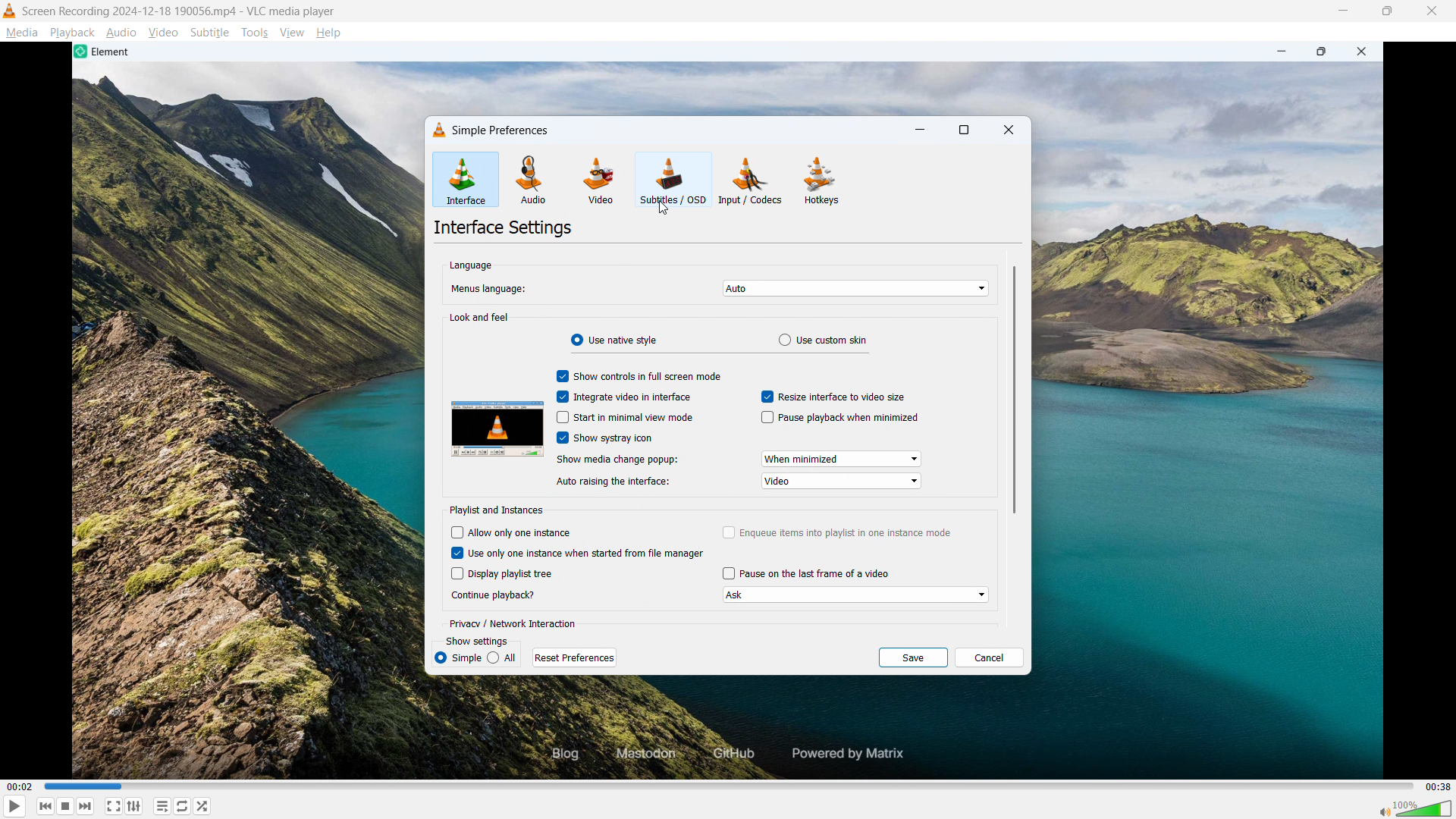 This screenshot has width=1456, height=819. Describe the element at coordinates (469, 265) in the screenshot. I see `Language ` at that location.